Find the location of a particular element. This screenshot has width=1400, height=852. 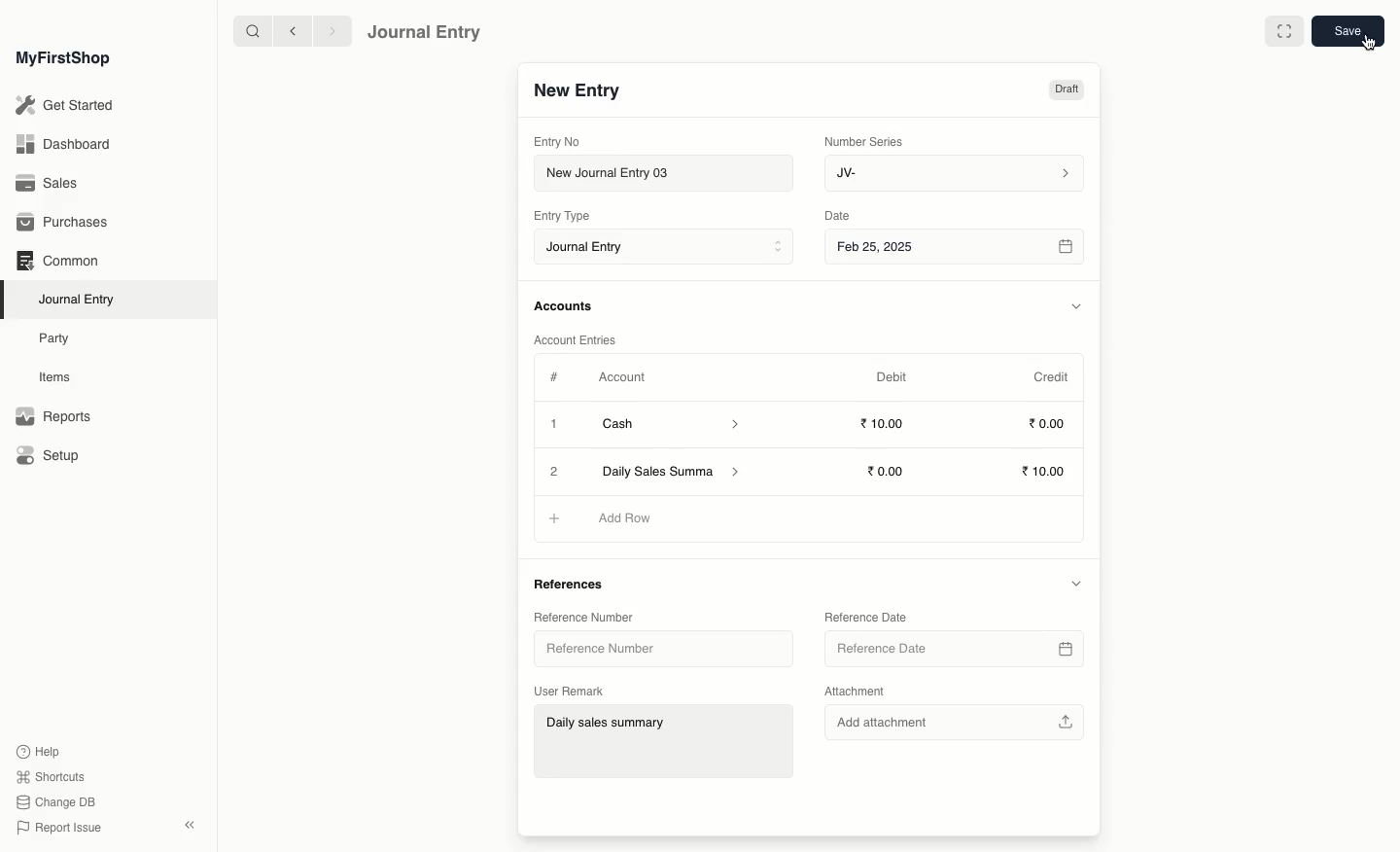

Purchases is located at coordinates (67, 223).